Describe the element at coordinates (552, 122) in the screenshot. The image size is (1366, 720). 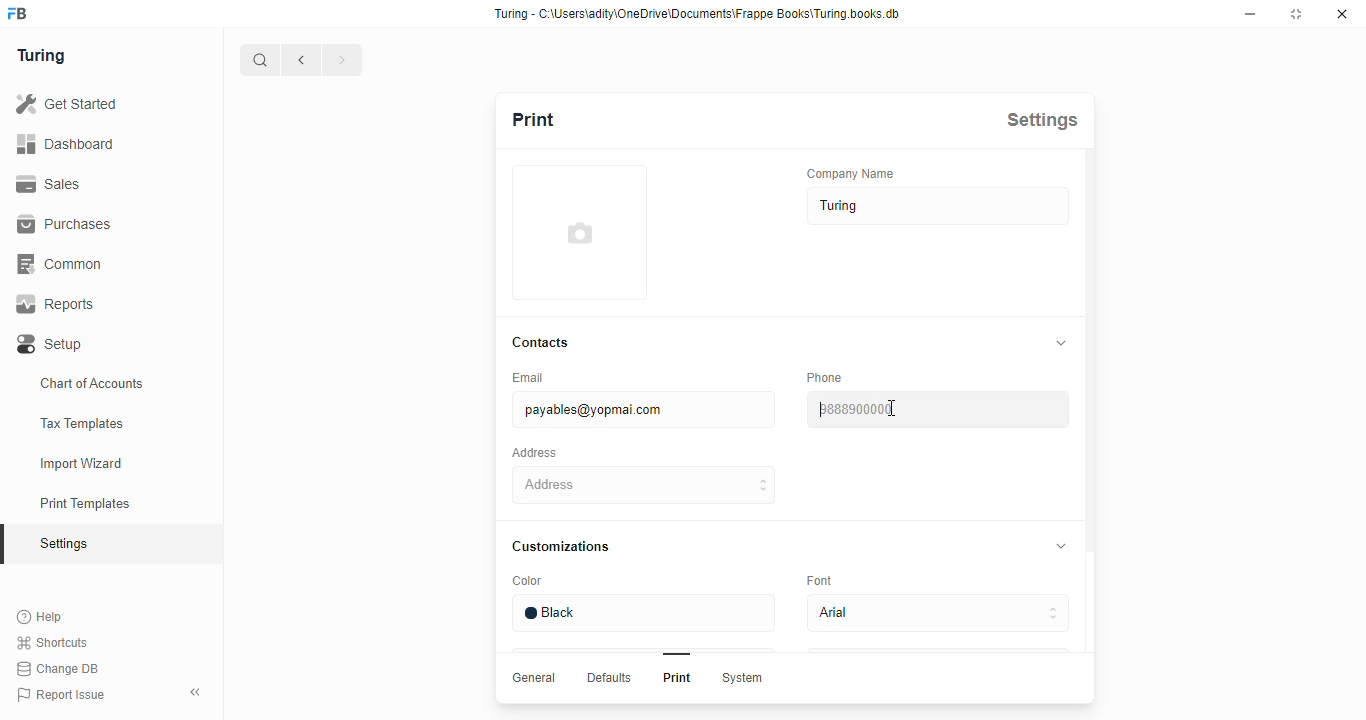
I see `Print` at that location.